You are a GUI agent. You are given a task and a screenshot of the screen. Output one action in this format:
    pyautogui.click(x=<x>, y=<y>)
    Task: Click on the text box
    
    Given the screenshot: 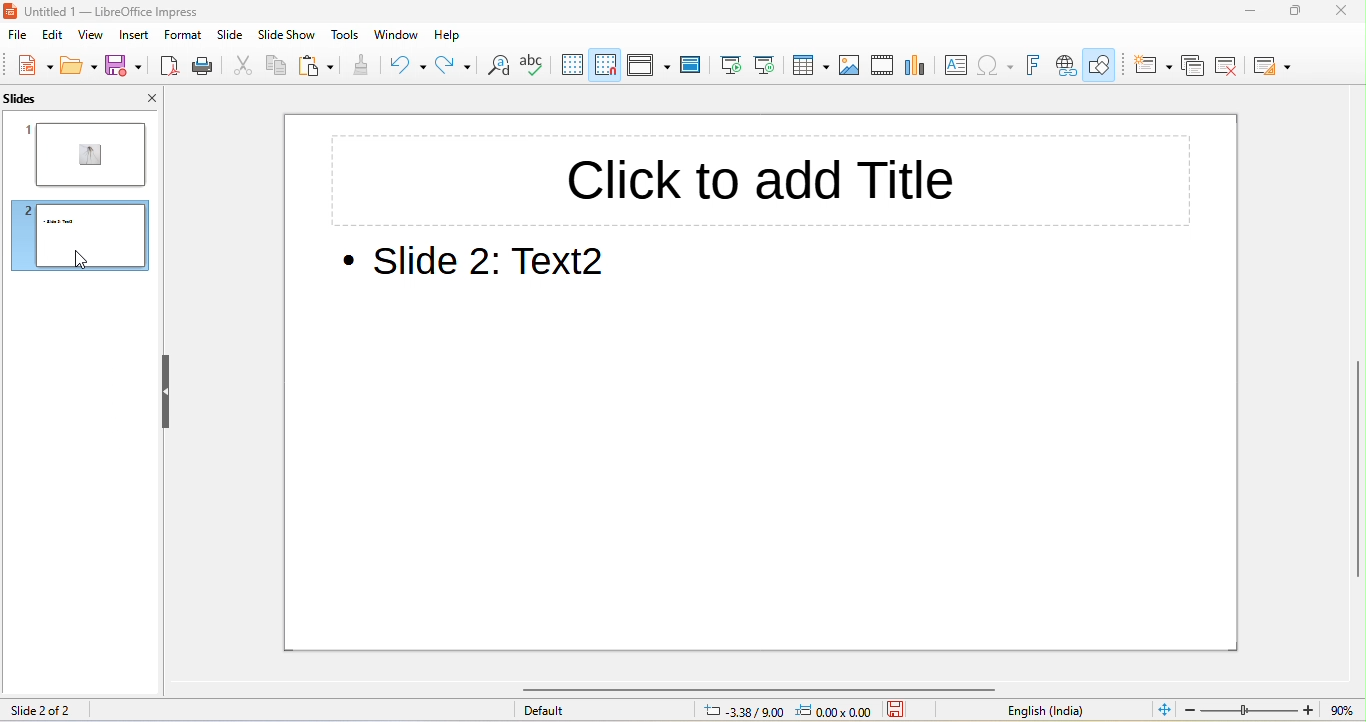 What is the action you would take?
    pyautogui.click(x=957, y=67)
    